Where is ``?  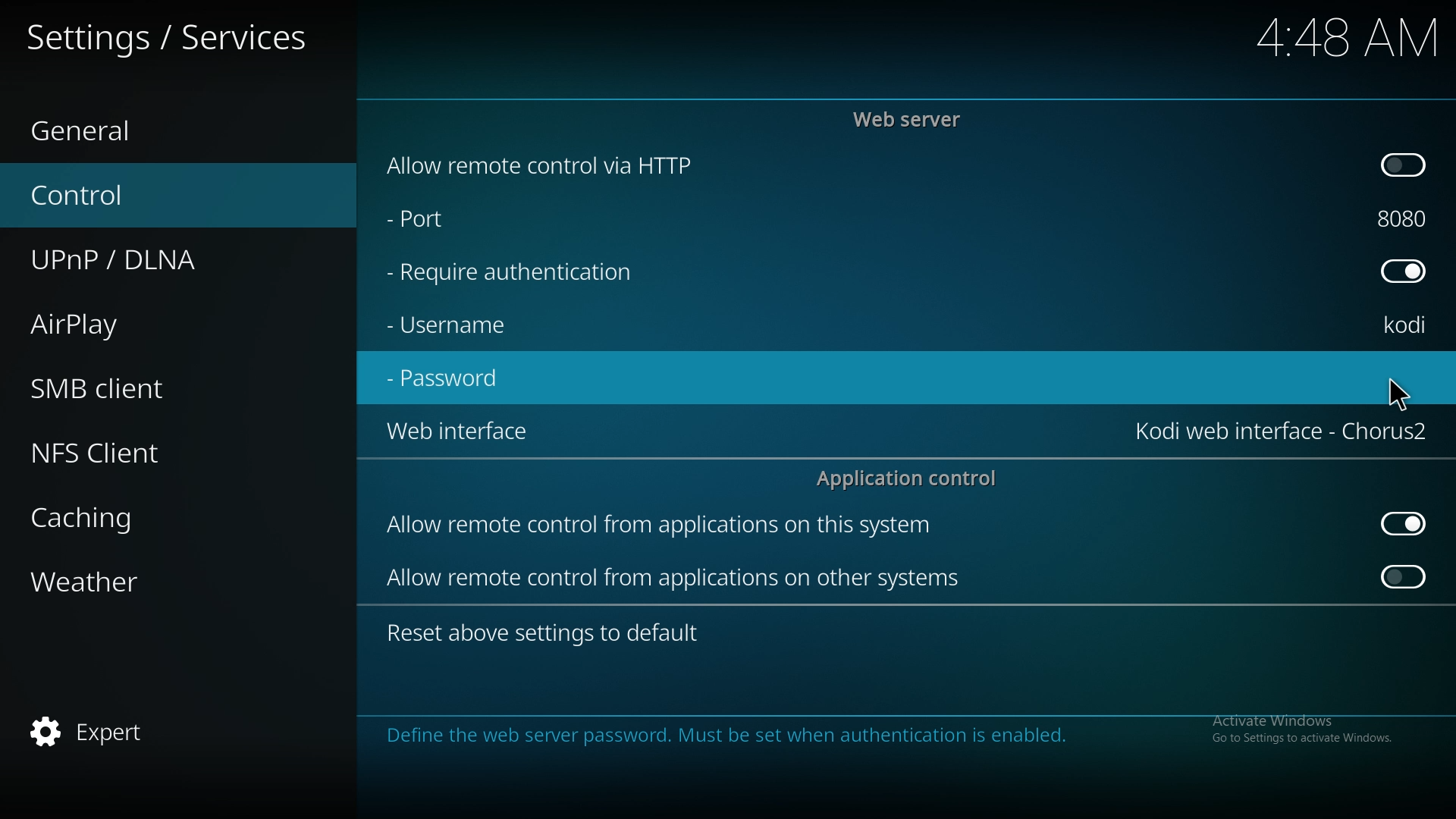  is located at coordinates (1327, 37).